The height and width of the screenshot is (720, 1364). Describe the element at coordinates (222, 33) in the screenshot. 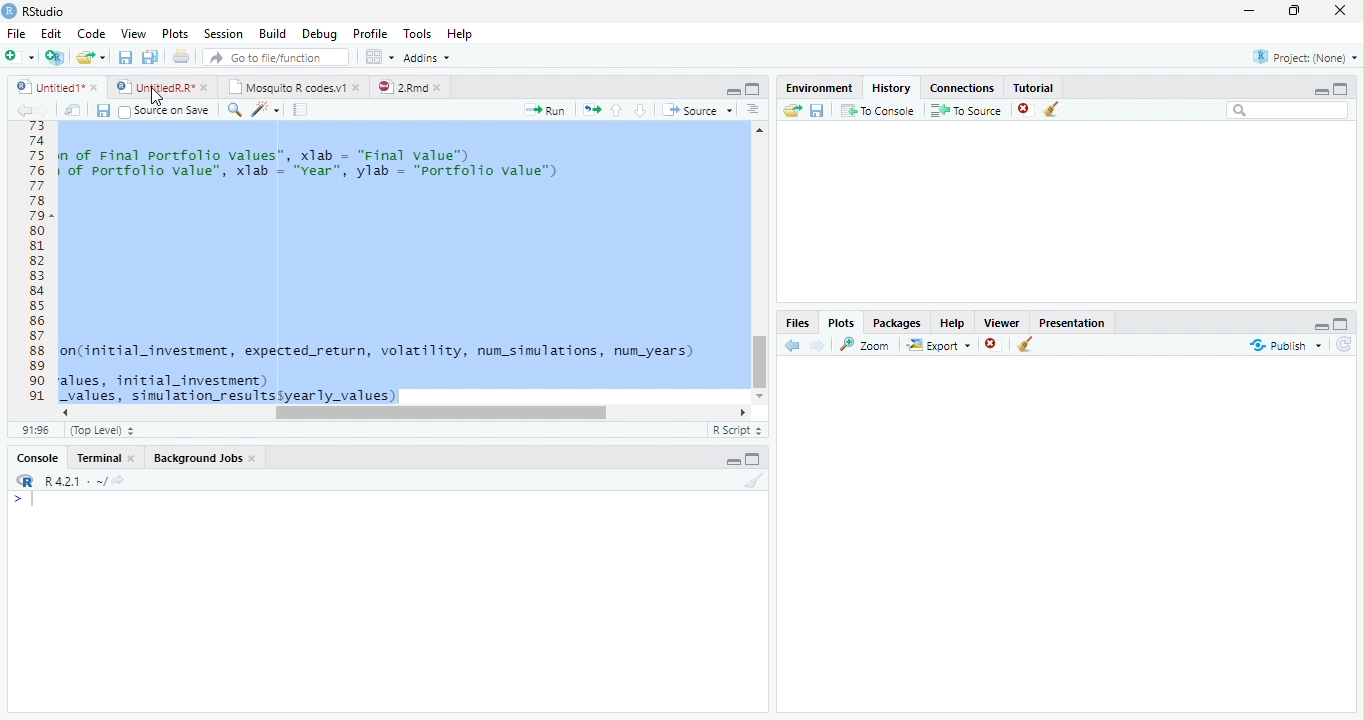

I see `Session` at that location.